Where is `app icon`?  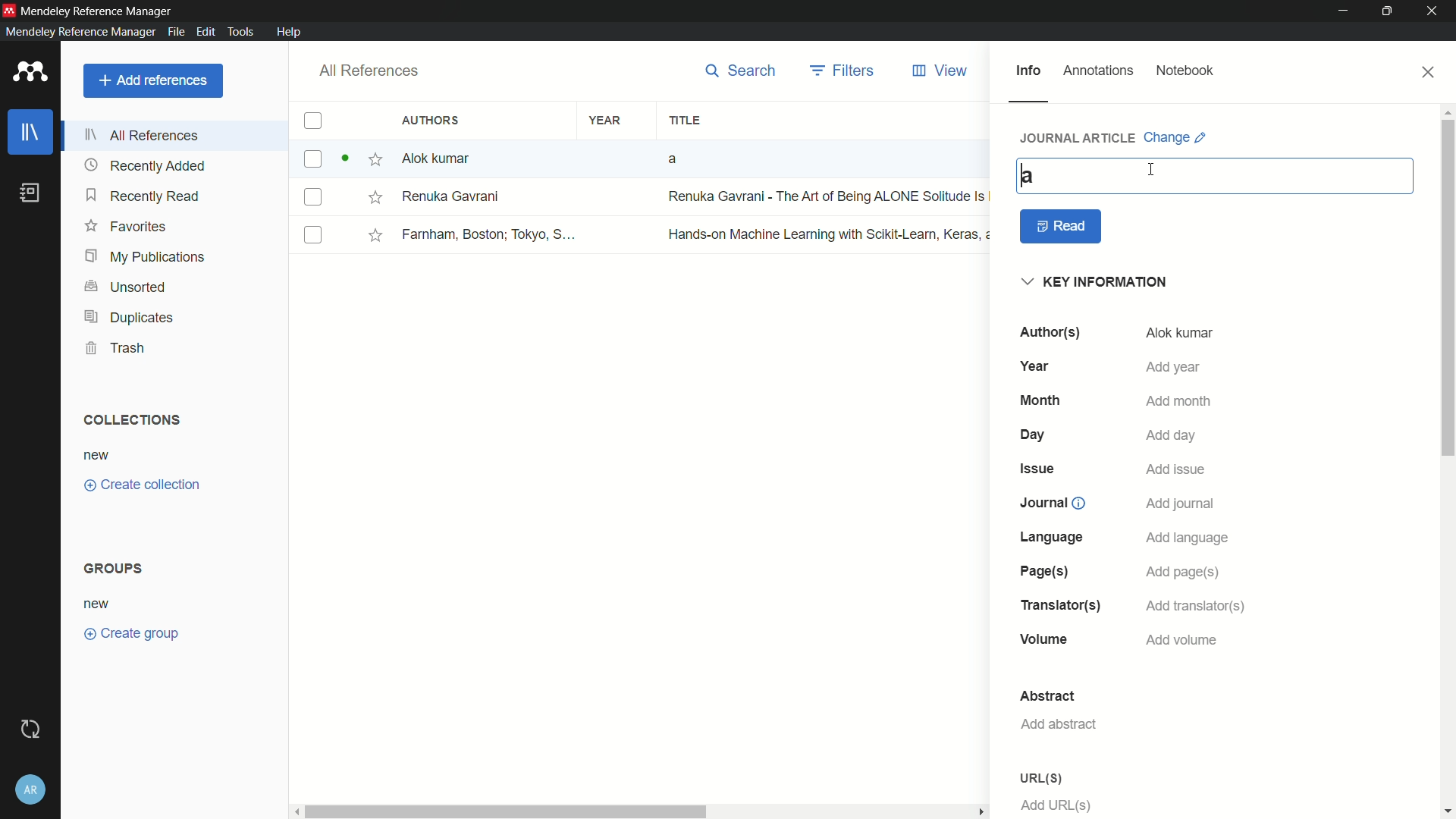 app icon is located at coordinates (30, 73).